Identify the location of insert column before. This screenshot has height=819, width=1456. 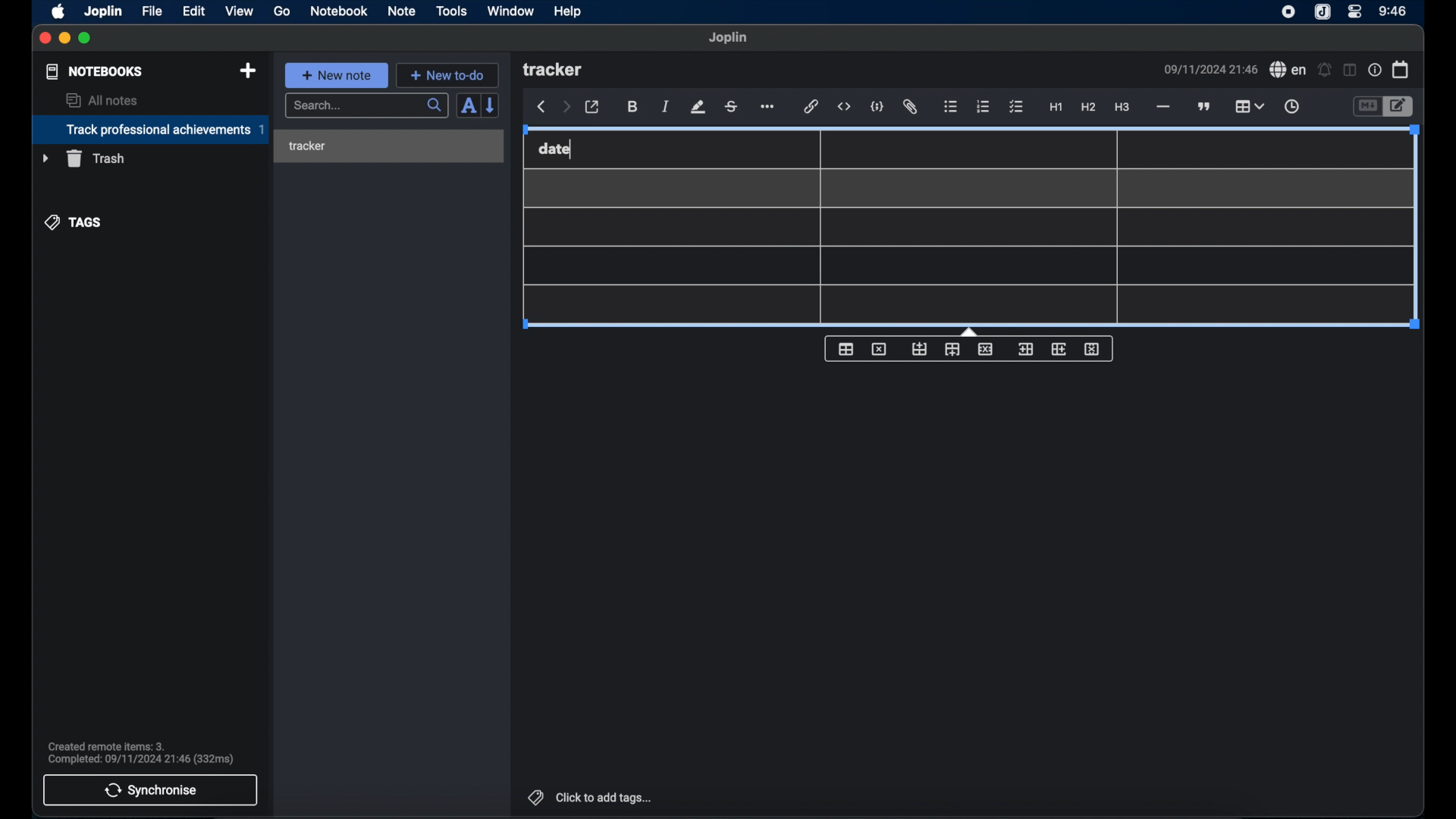
(1025, 349).